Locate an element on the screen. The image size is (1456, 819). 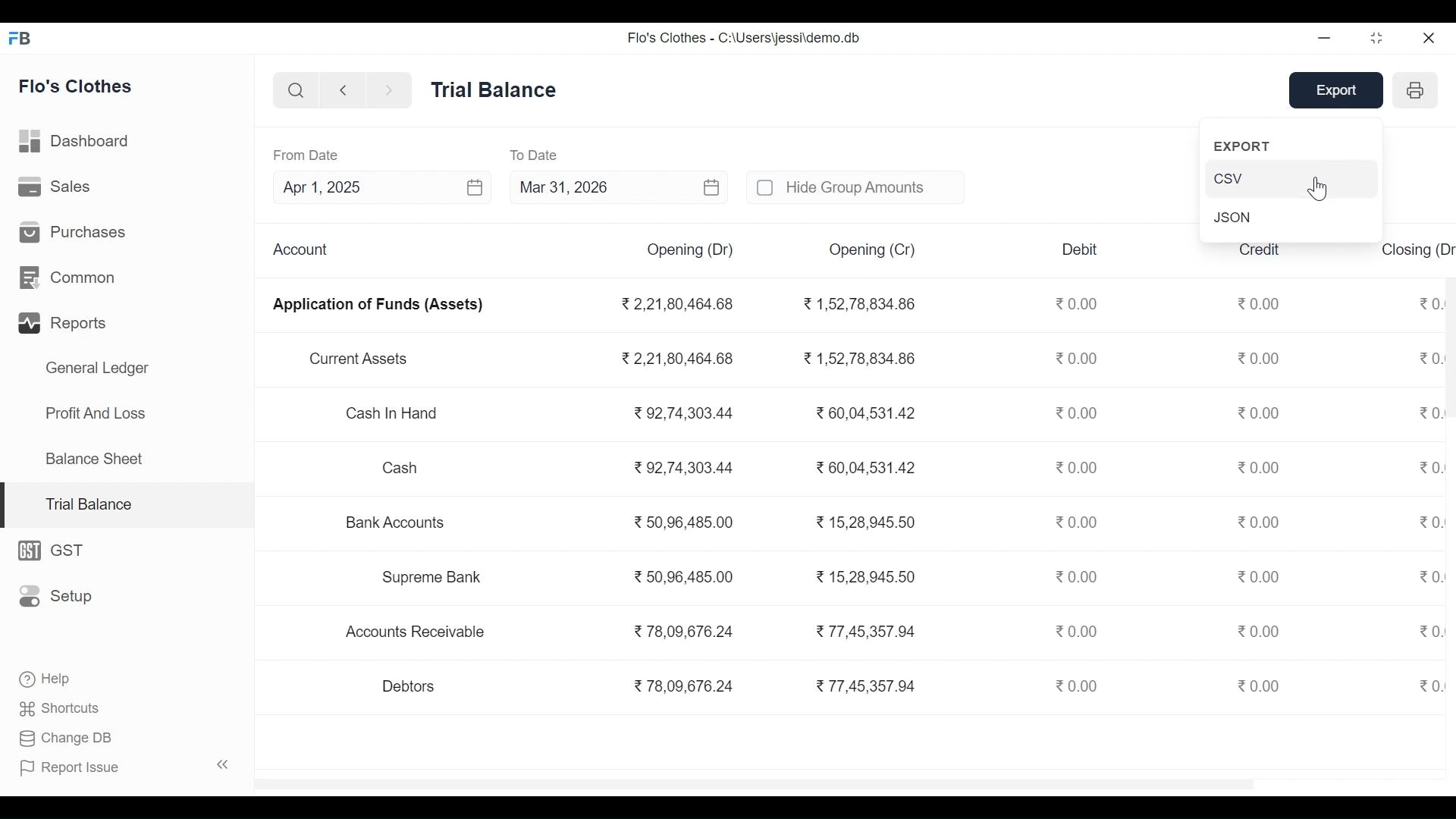
Restore is located at coordinates (1379, 37).